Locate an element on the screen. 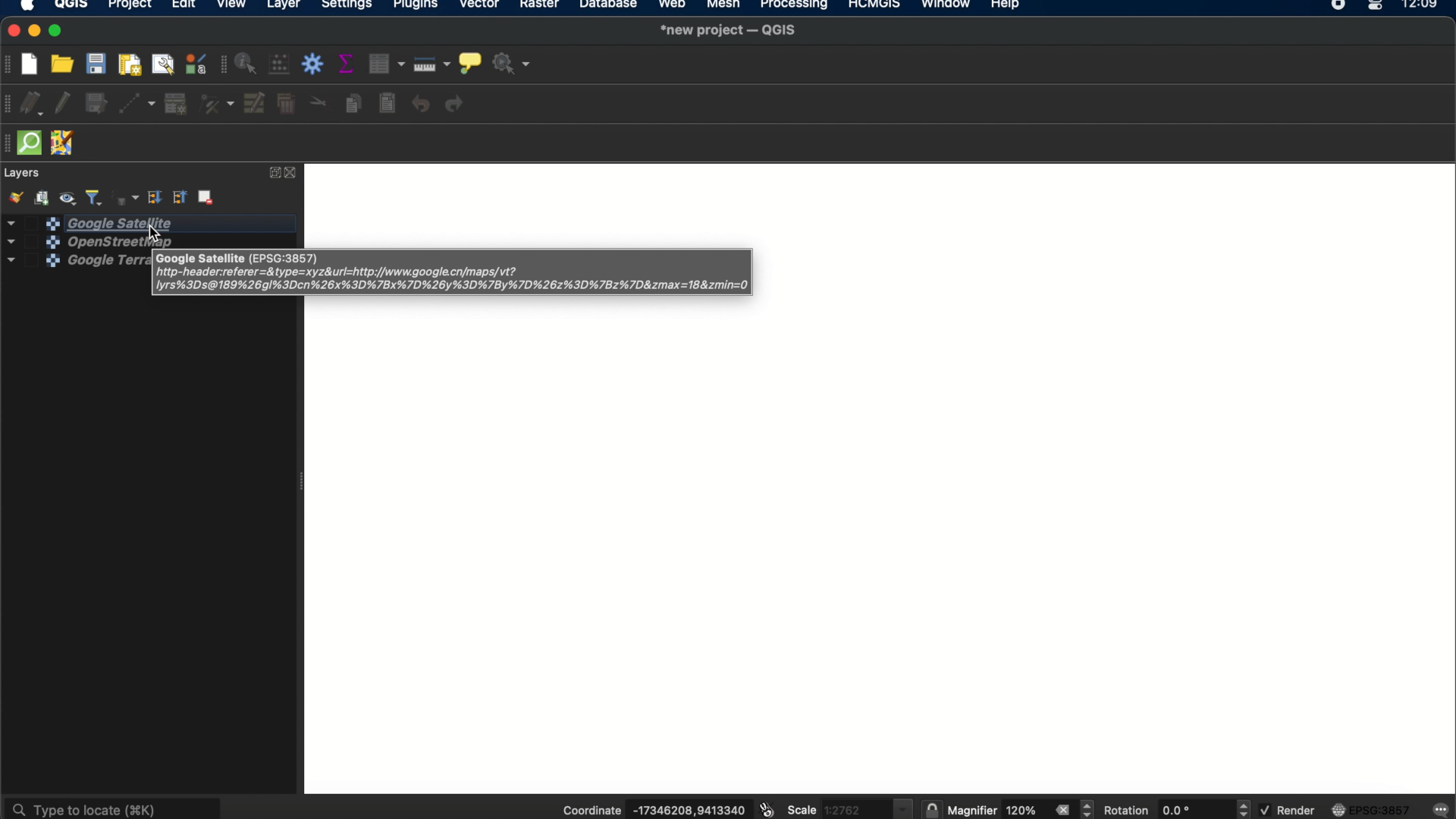 Image resolution: width=1456 pixels, height=819 pixels. paste features is located at coordinates (389, 104).